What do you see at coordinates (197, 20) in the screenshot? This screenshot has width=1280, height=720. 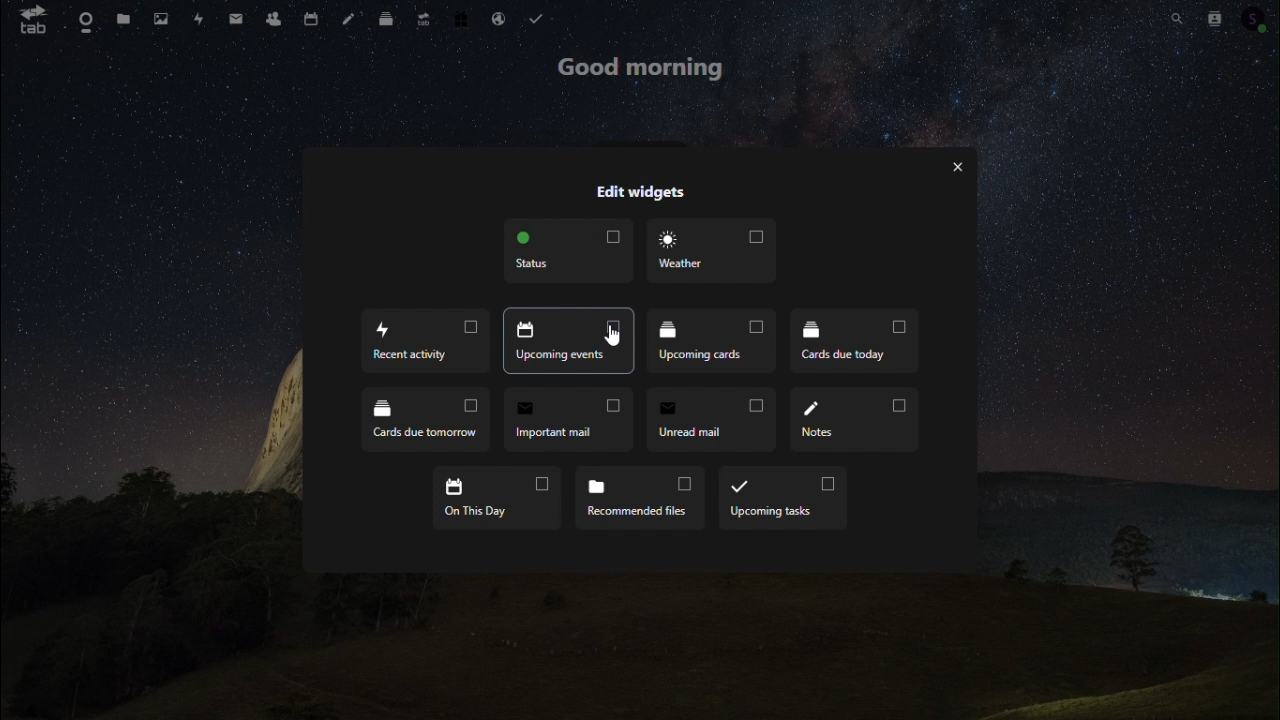 I see `Activity` at bounding box center [197, 20].